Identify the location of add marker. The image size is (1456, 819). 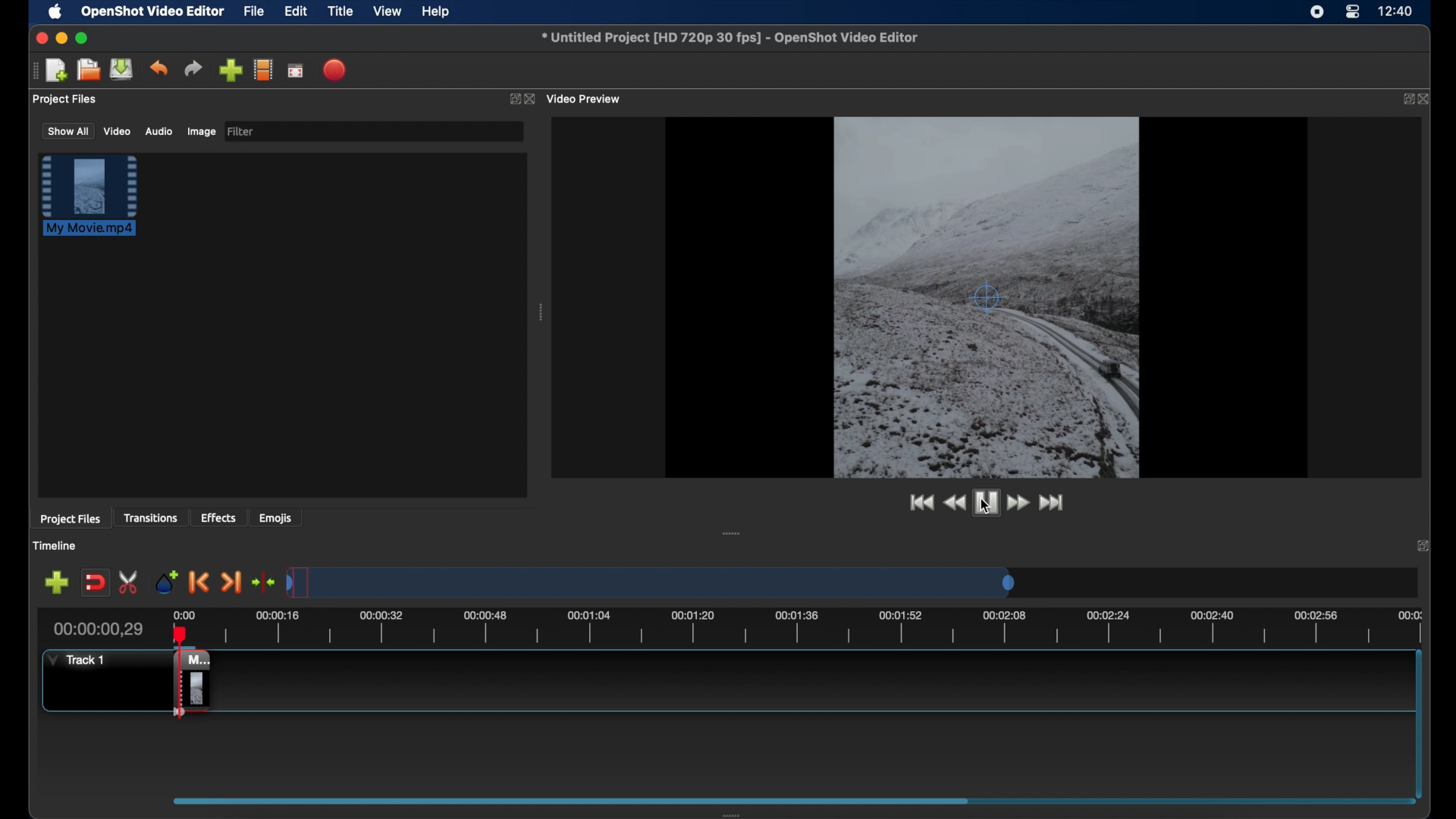
(165, 581).